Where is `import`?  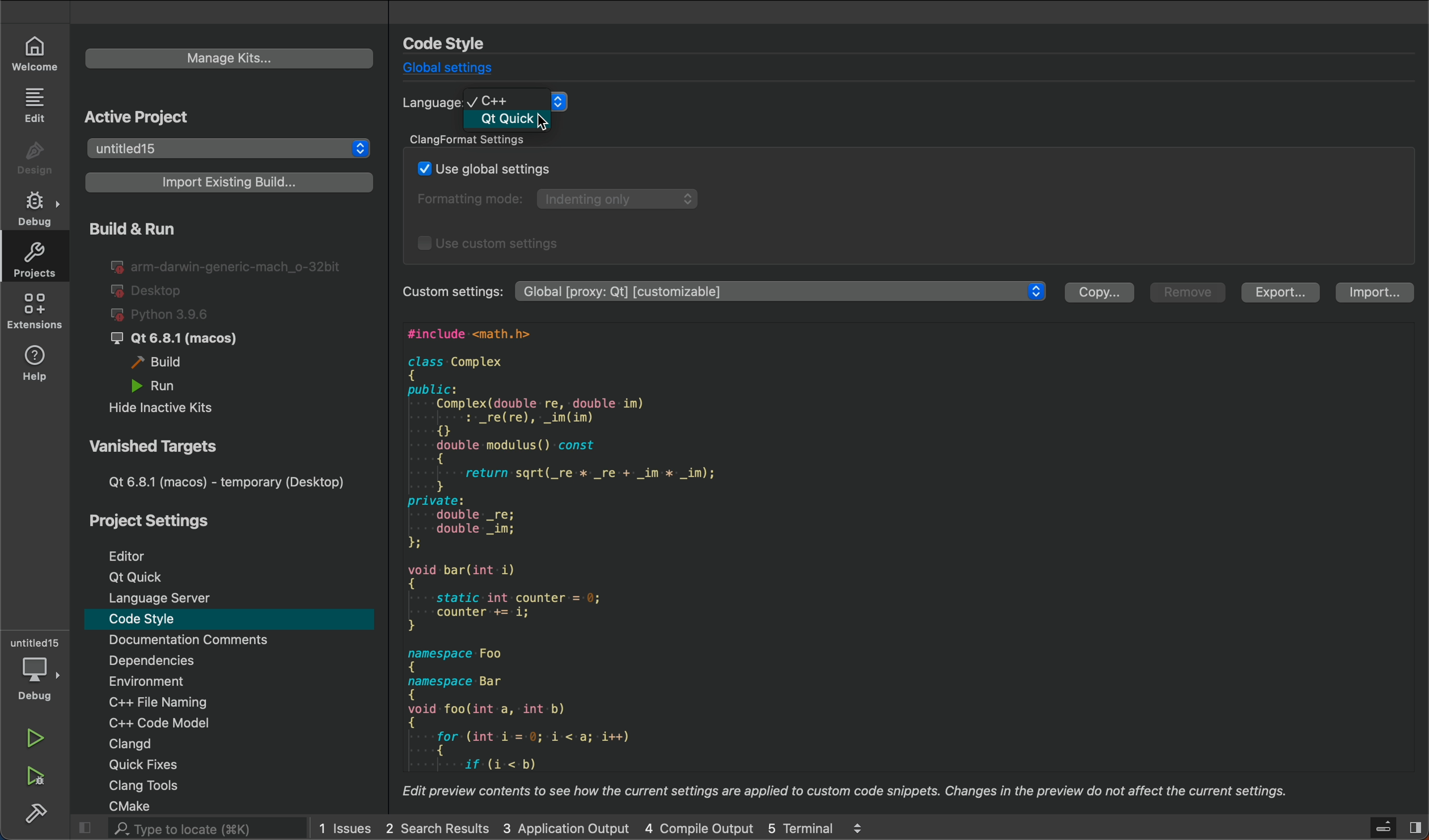 import is located at coordinates (1373, 293).